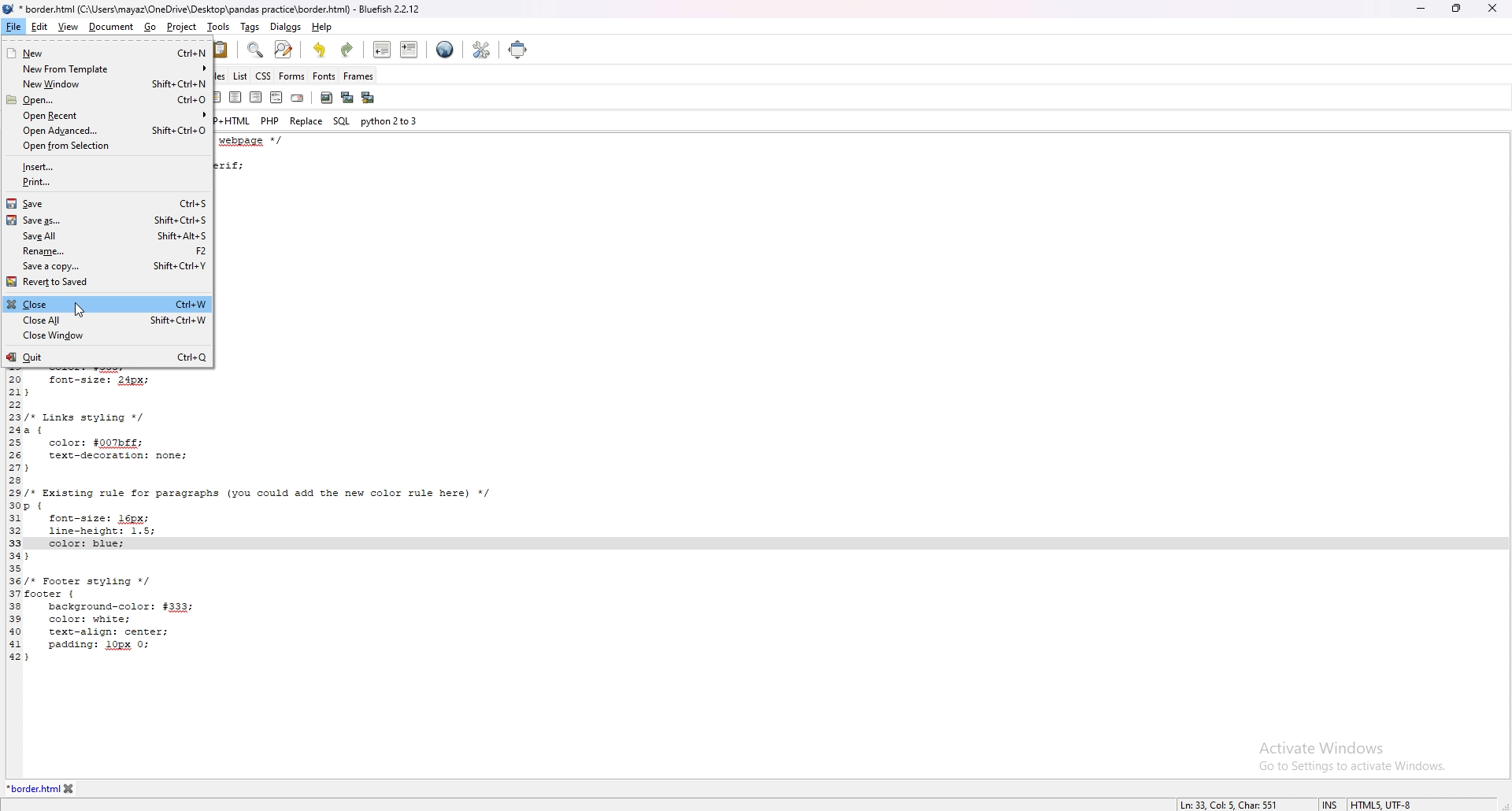 The image size is (1512, 811). What do you see at coordinates (32, 788) in the screenshot?
I see `tab` at bounding box center [32, 788].